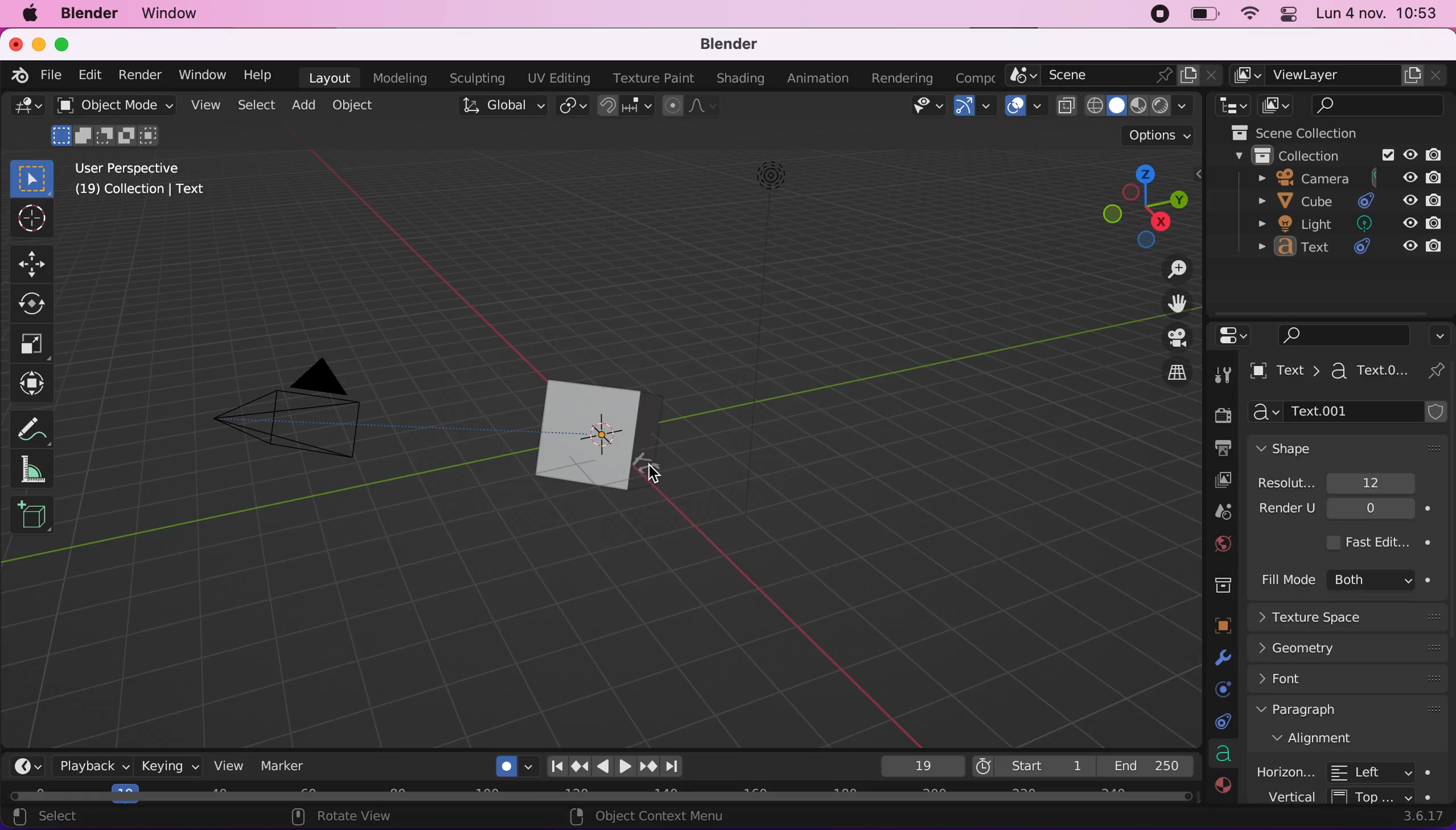  Describe the element at coordinates (1231, 106) in the screenshot. I see `editor type` at that location.